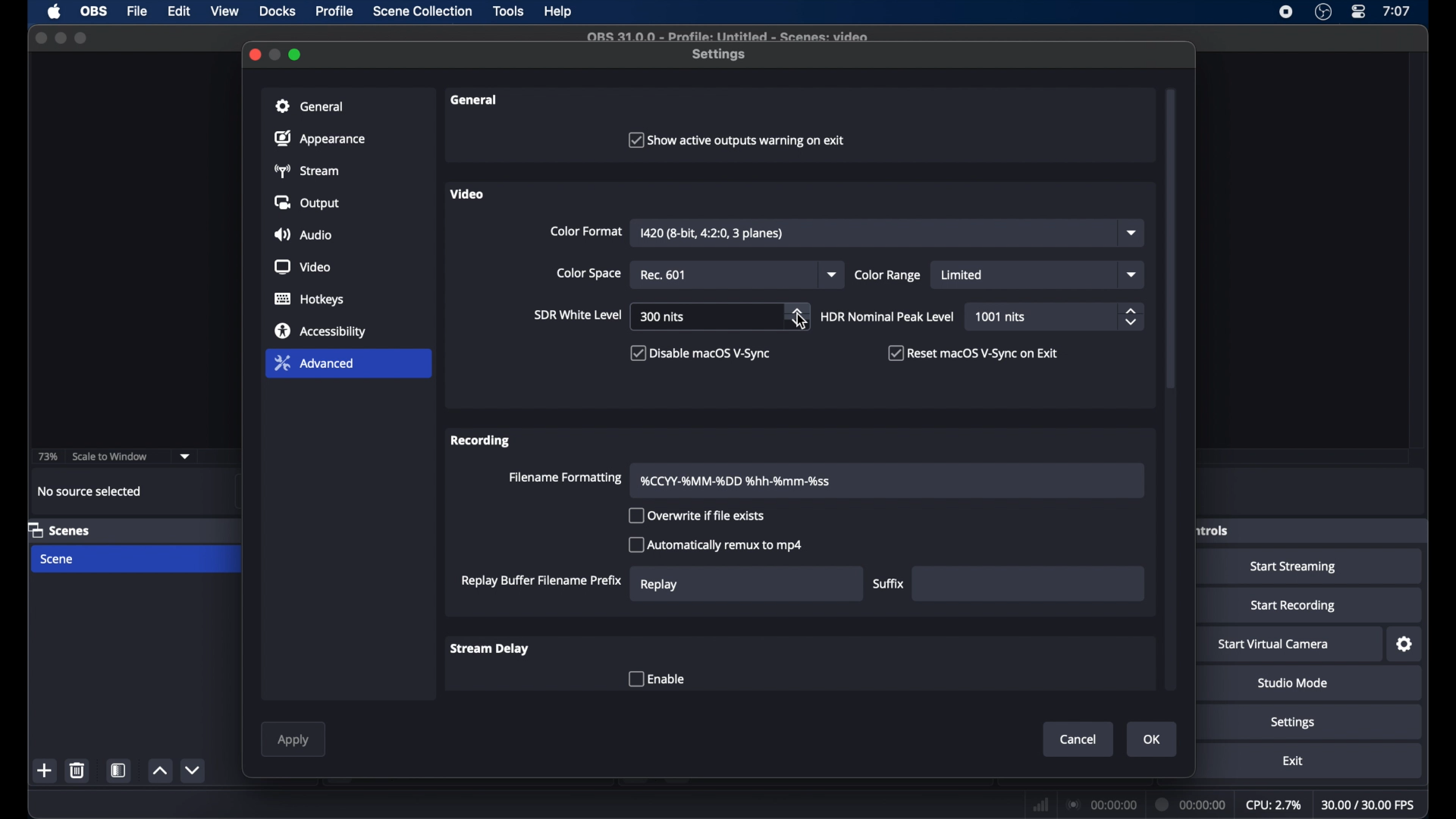 The height and width of the screenshot is (819, 1456). What do you see at coordinates (186, 456) in the screenshot?
I see `dropdown` at bounding box center [186, 456].